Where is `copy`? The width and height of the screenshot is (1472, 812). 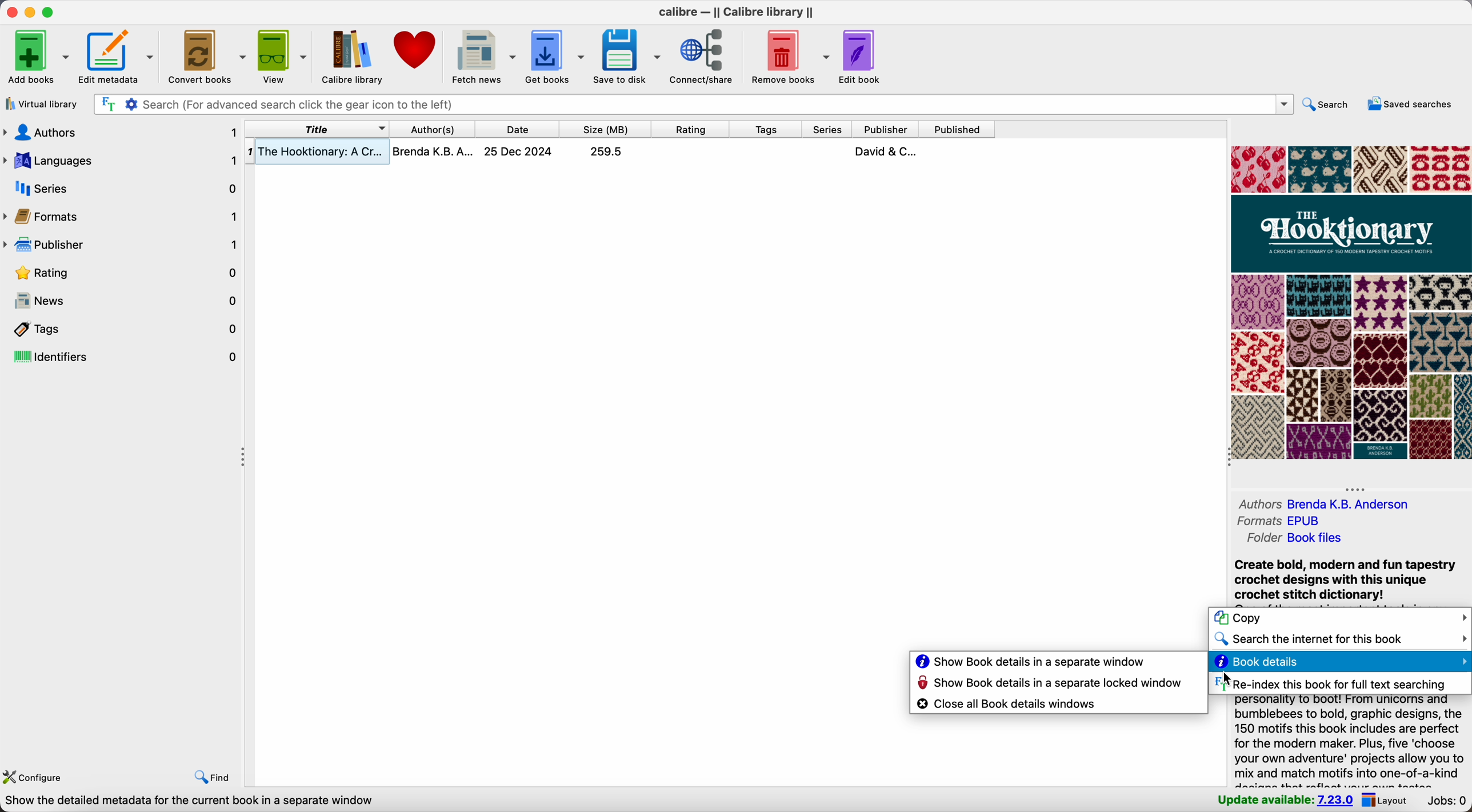
copy is located at coordinates (1339, 619).